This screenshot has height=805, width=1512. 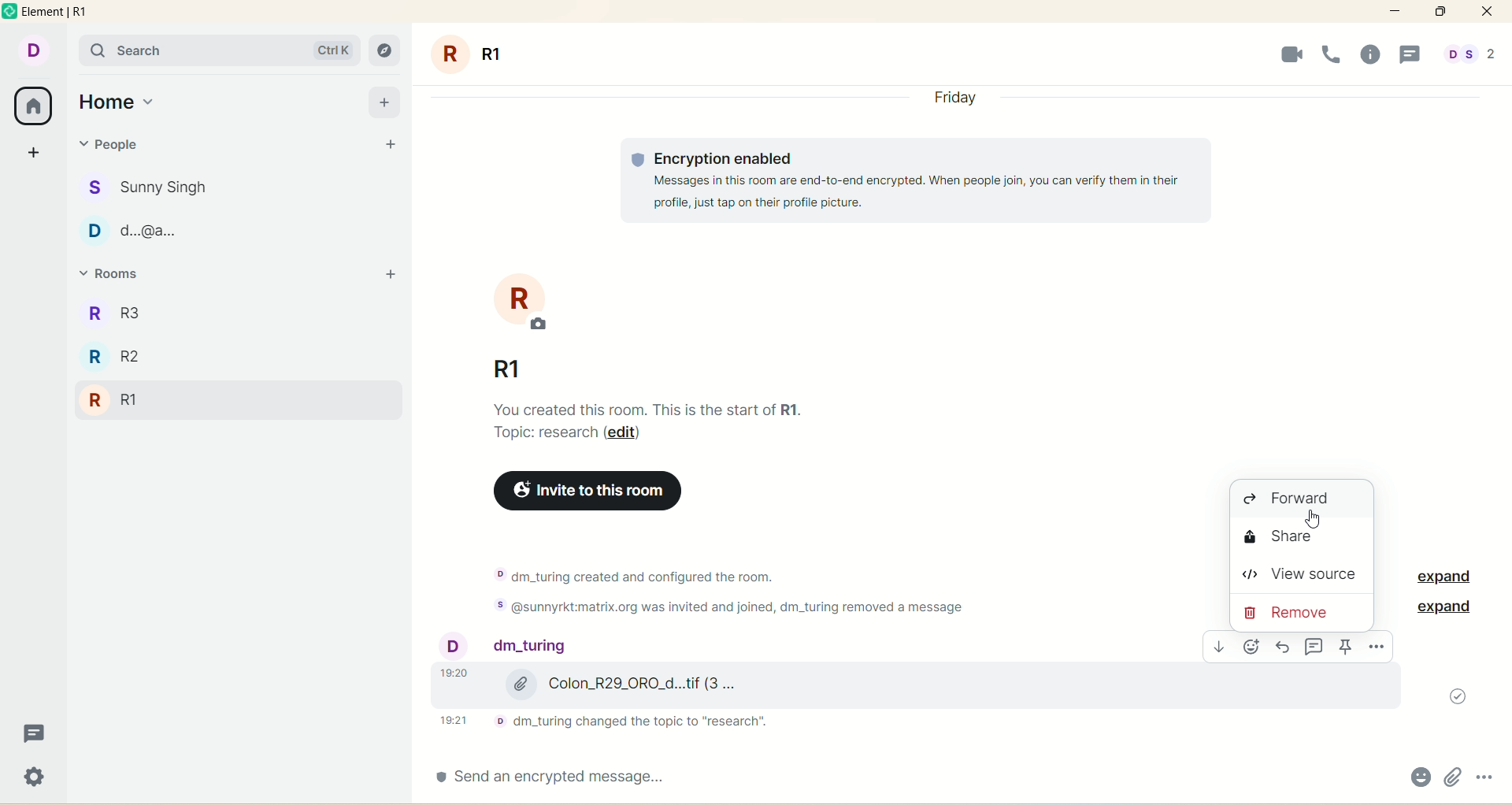 What do you see at coordinates (61, 13) in the screenshot?
I see `element` at bounding box center [61, 13].